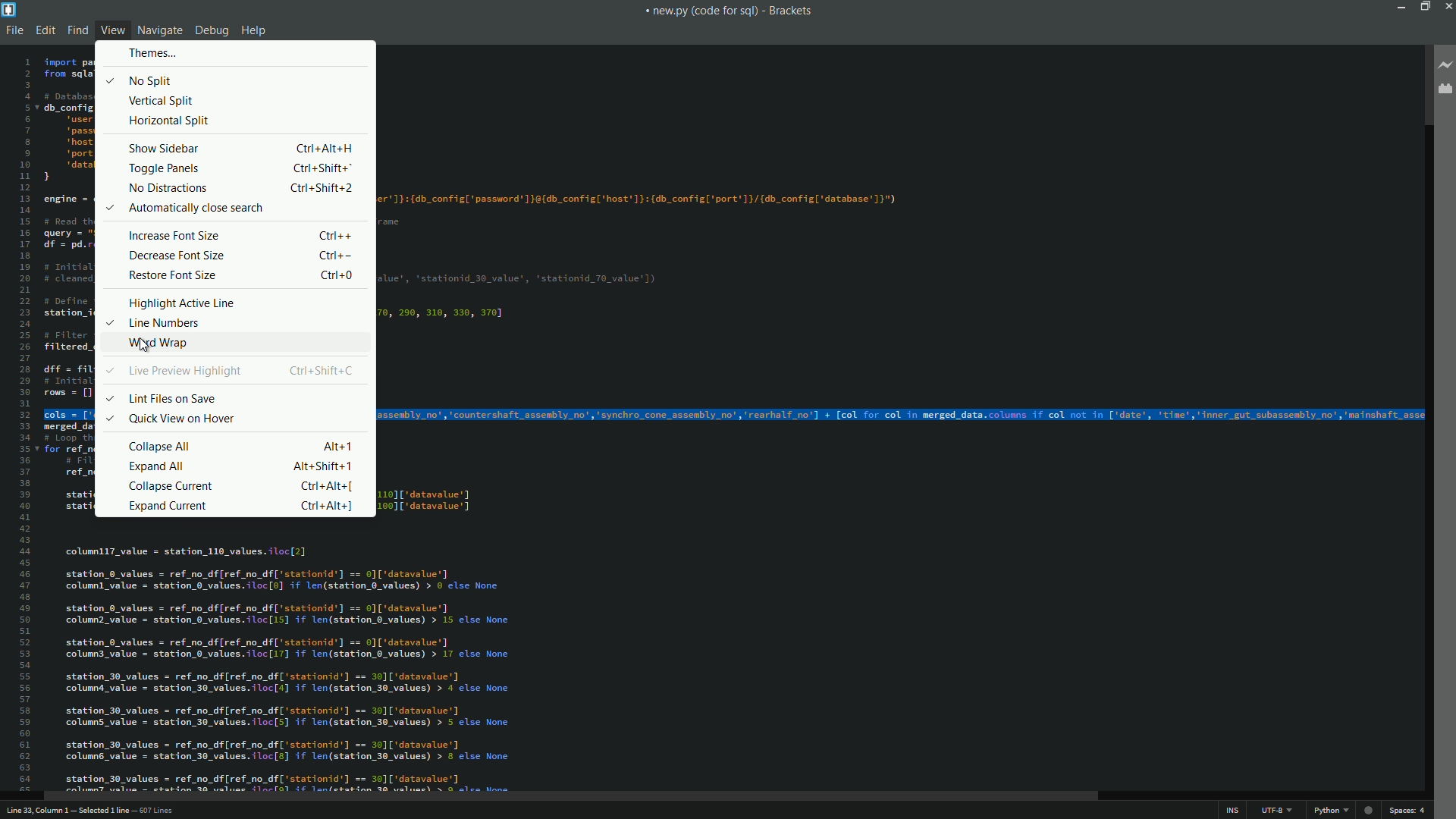 This screenshot has width=1456, height=819. Describe the element at coordinates (162, 446) in the screenshot. I see `collapse all` at that location.